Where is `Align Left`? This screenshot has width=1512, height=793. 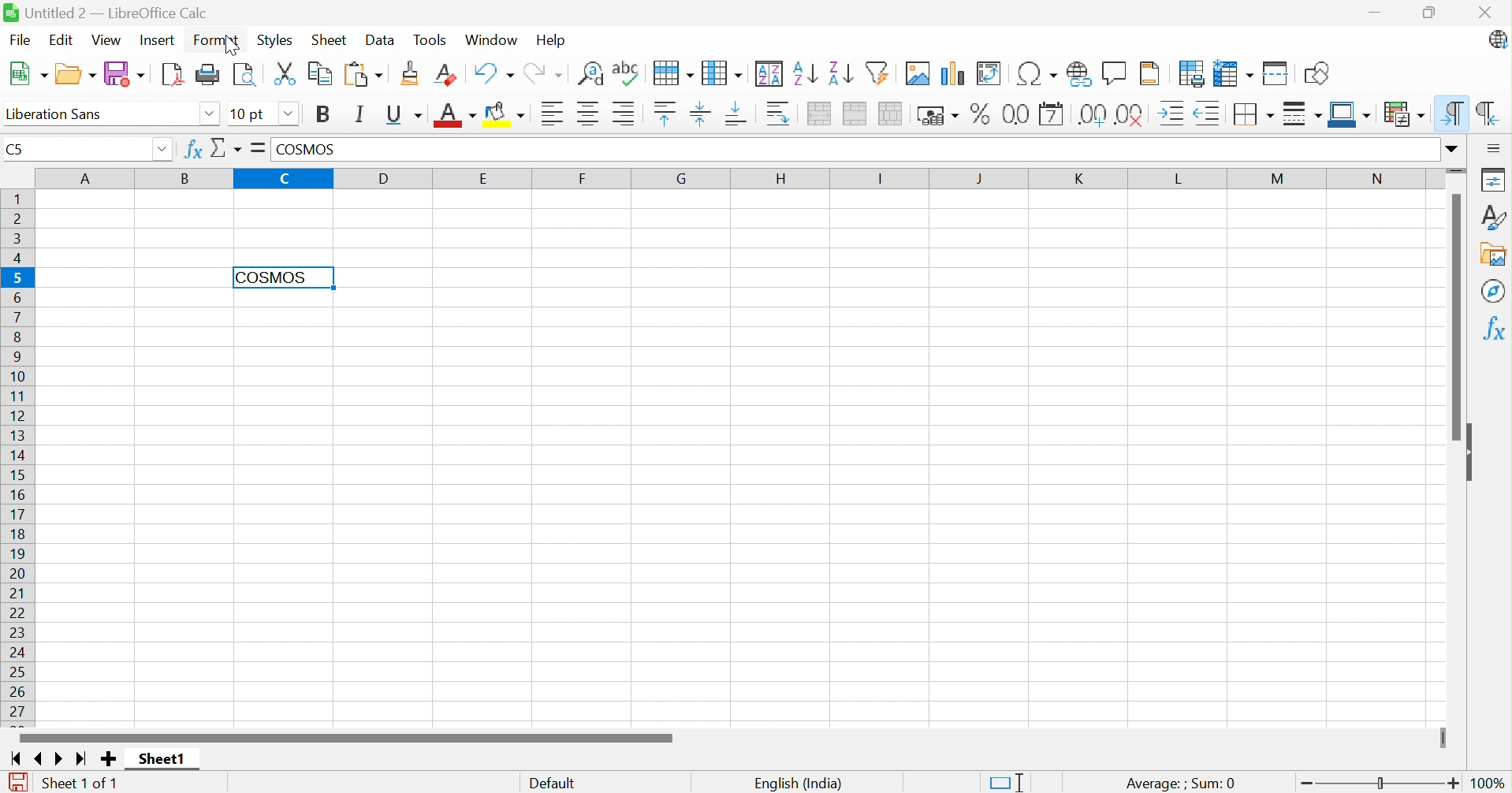 Align Left is located at coordinates (553, 114).